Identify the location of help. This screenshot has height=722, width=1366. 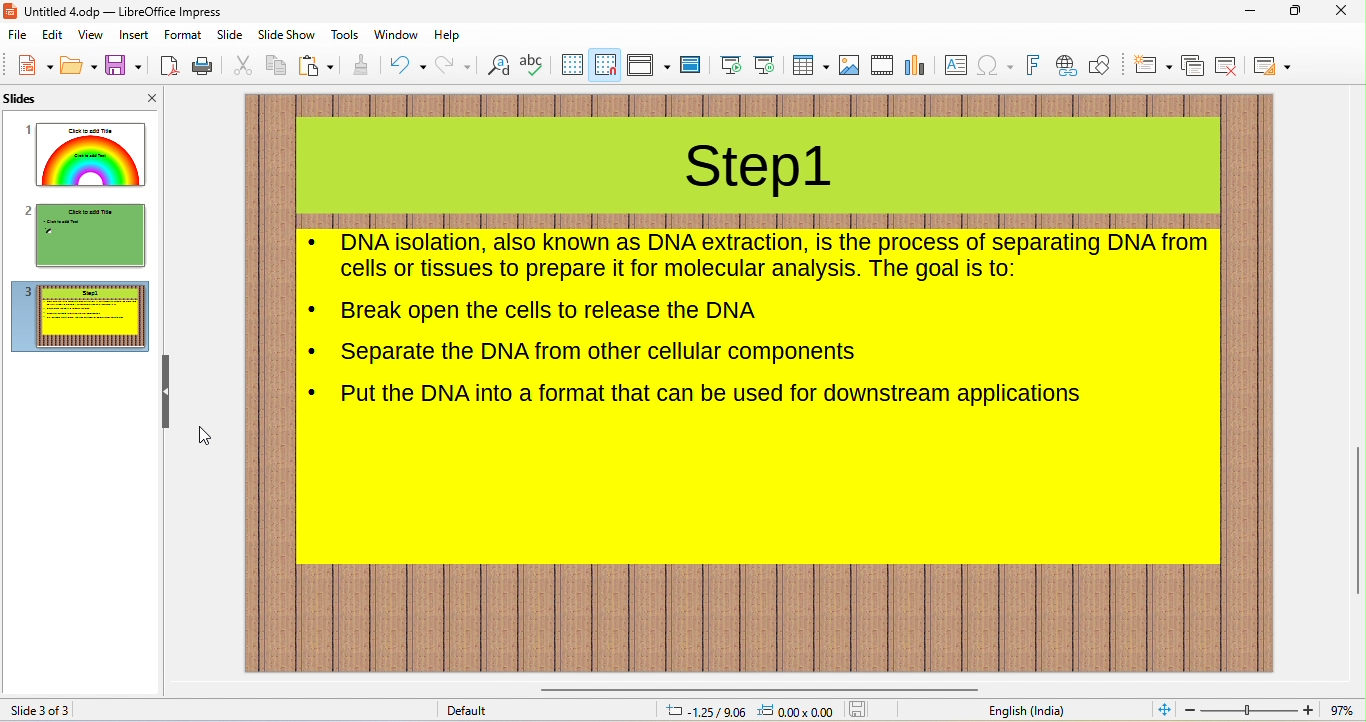
(447, 35).